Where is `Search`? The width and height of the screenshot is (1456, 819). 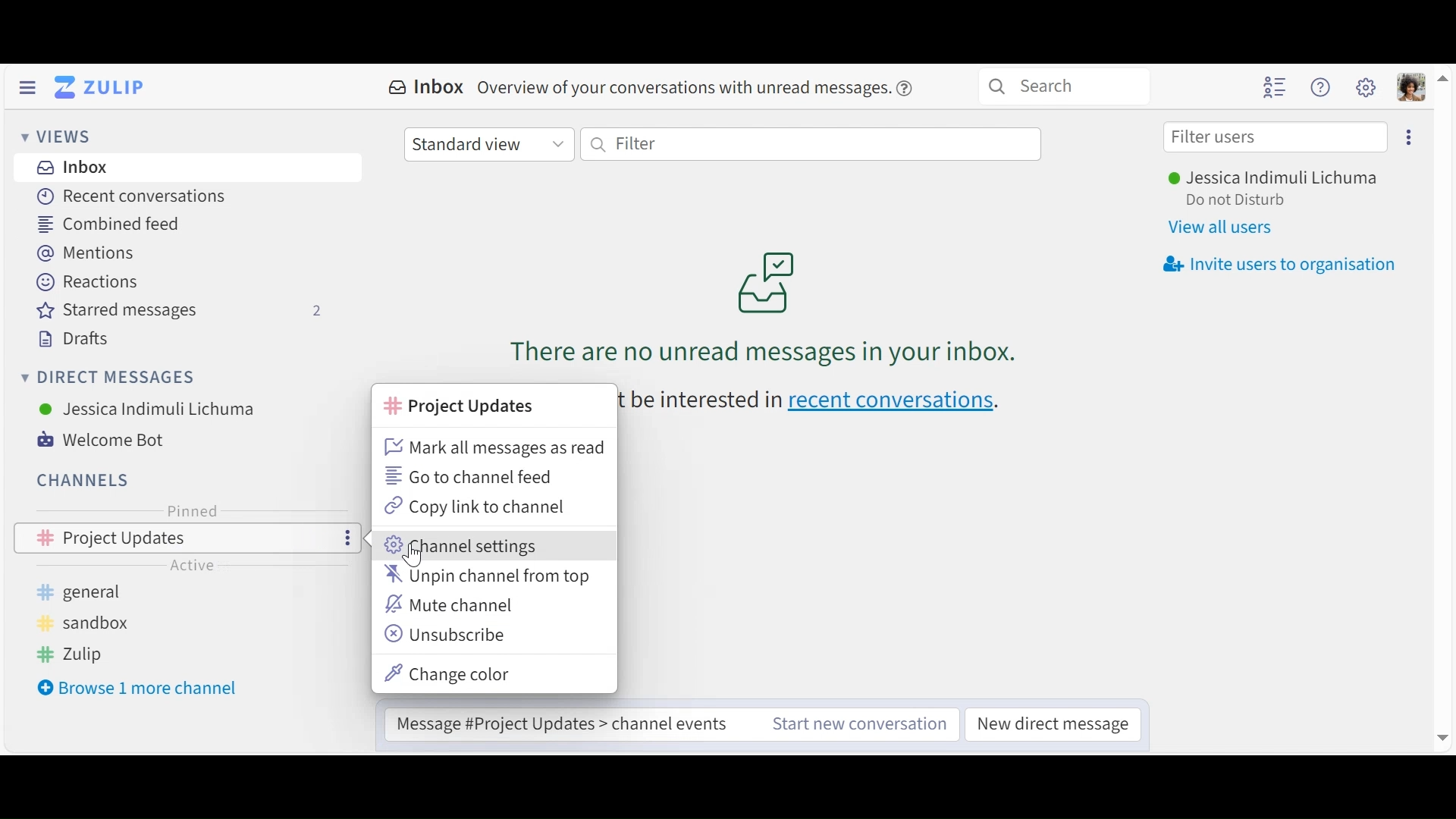 Search is located at coordinates (1064, 85).